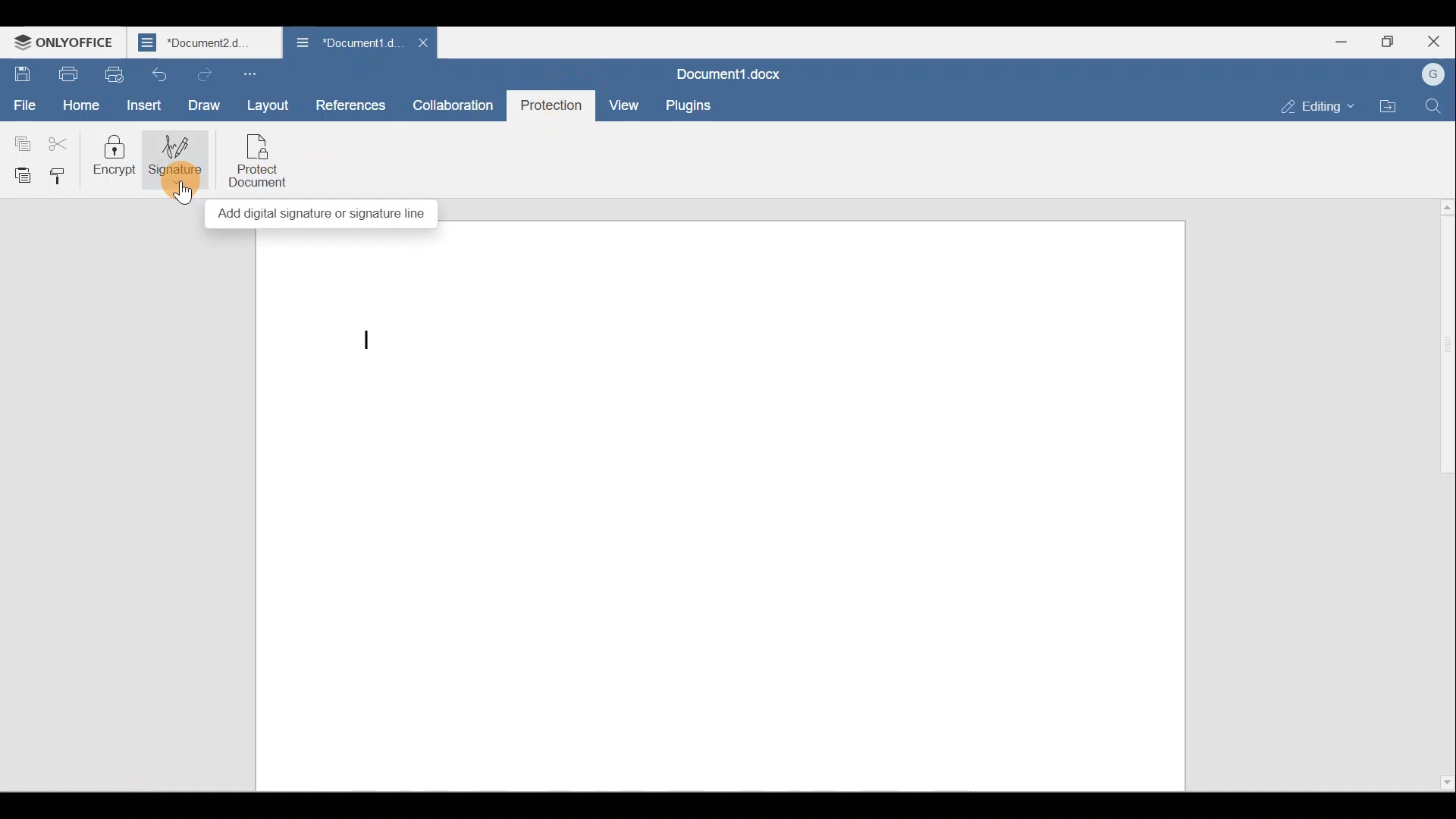 The width and height of the screenshot is (1456, 819). I want to click on Customize quick access toolbar, so click(258, 74).